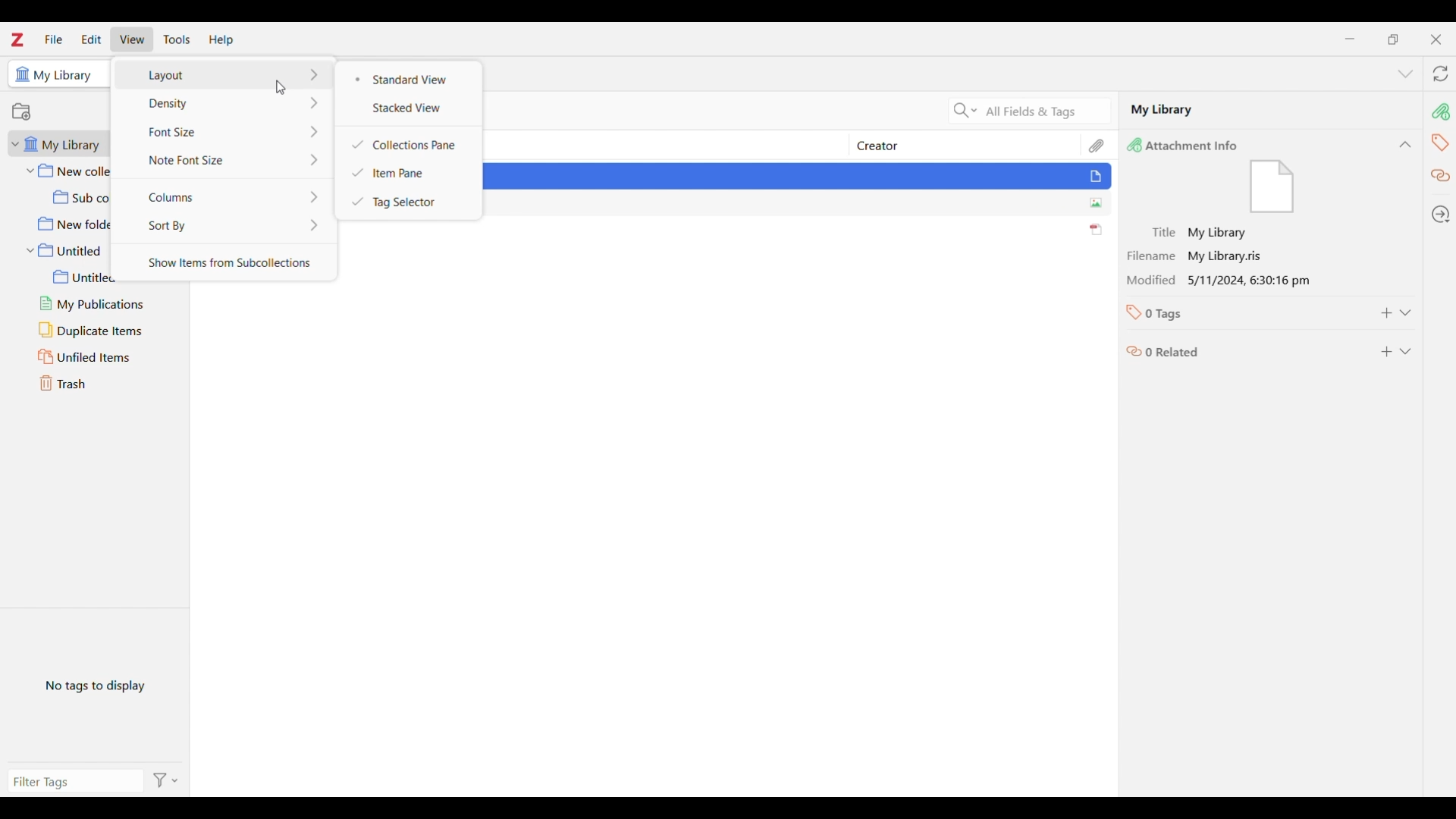 The image size is (1456, 819). What do you see at coordinates (1443, 137) in the screenshot?
I see `tags` at bounding box center [1443, 137].